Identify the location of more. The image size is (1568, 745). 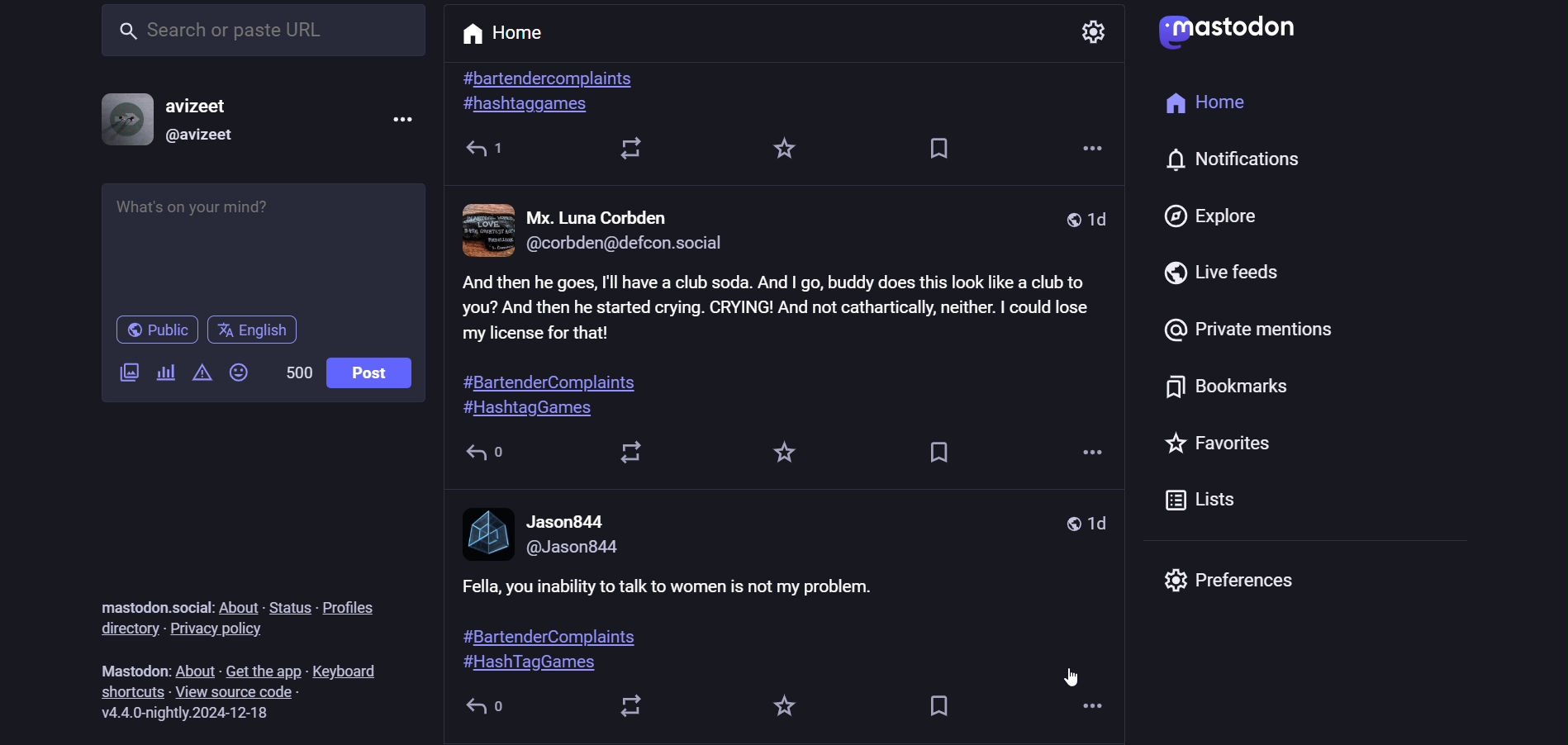
(1090, 710).